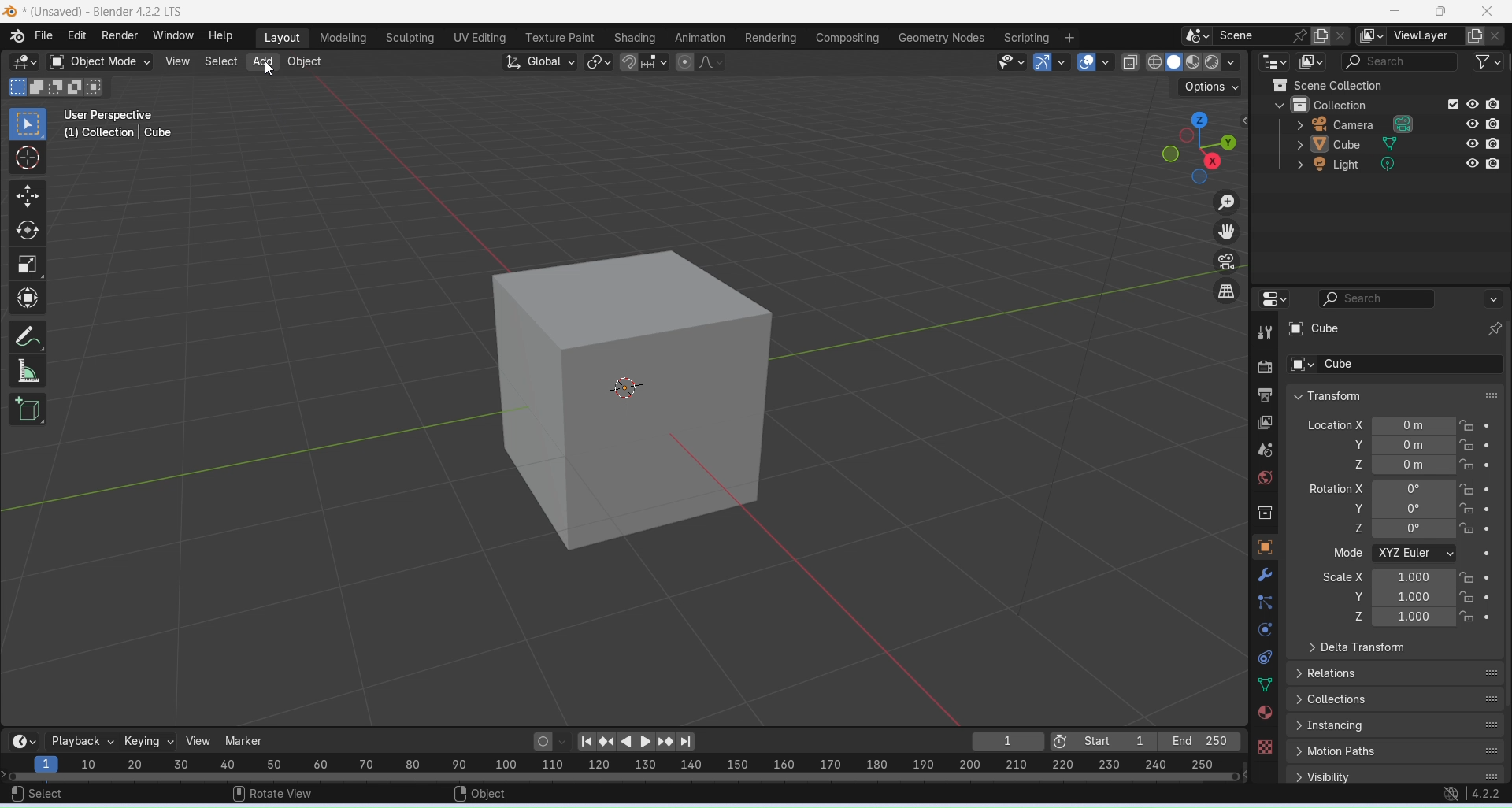  I want to click on * (Unsaved) - Blender 4.2.2 LTS, so click(106, 12).